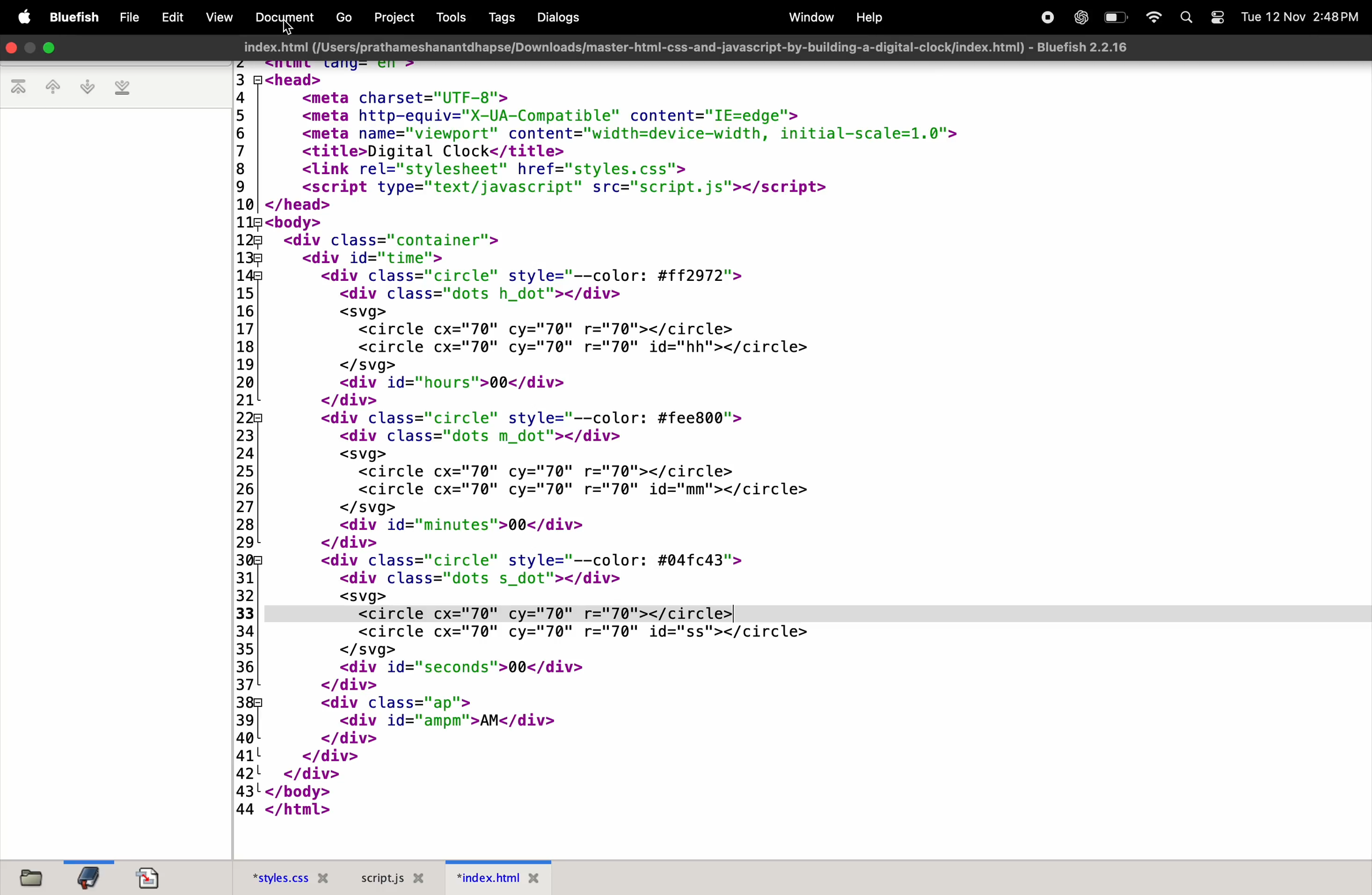  What do you see at coordinates (127, 17) in the screenshot?
I see `file` at bounding box center [127, 17].